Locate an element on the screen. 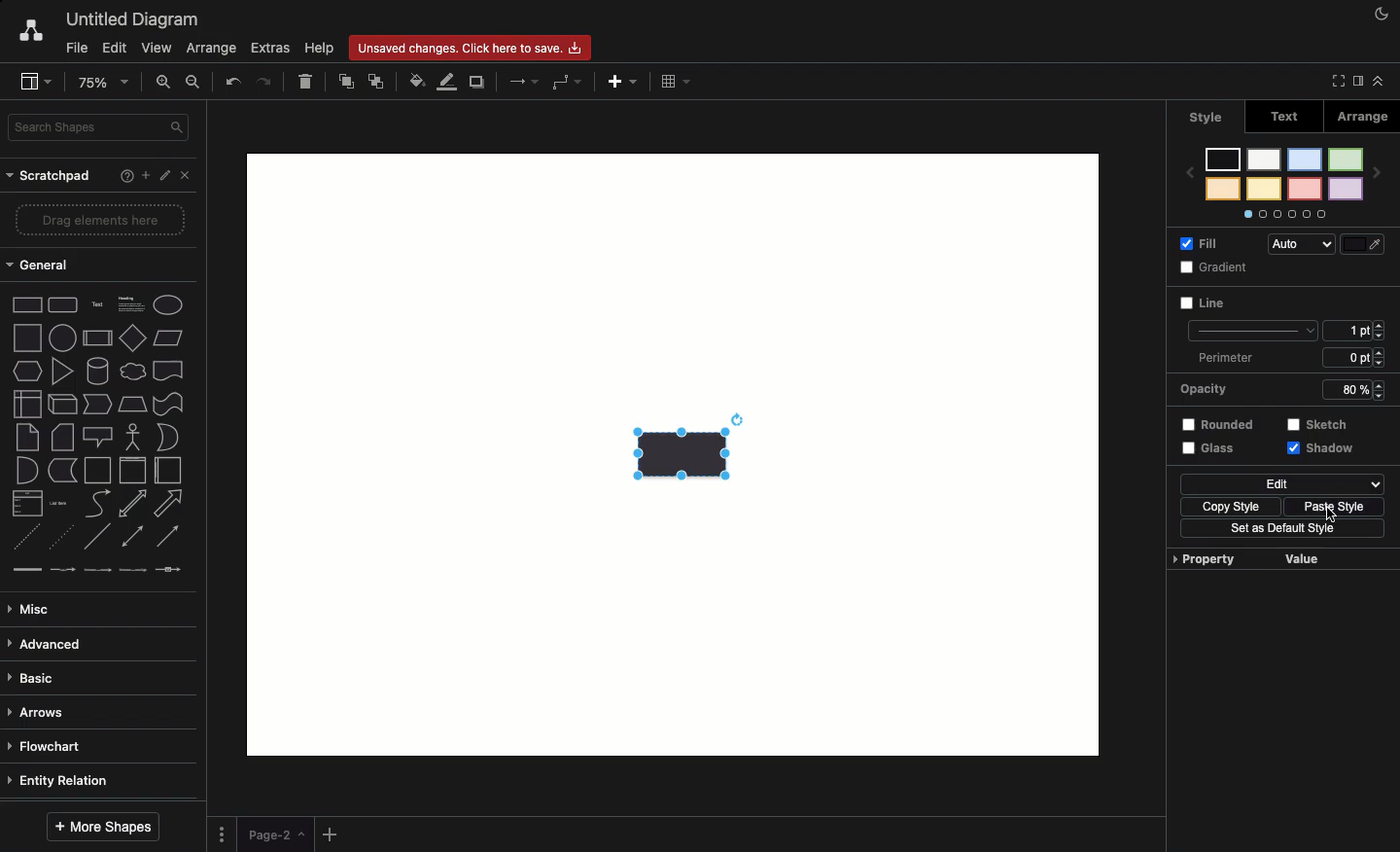  color 2 is located at coordinates (1346, 189).